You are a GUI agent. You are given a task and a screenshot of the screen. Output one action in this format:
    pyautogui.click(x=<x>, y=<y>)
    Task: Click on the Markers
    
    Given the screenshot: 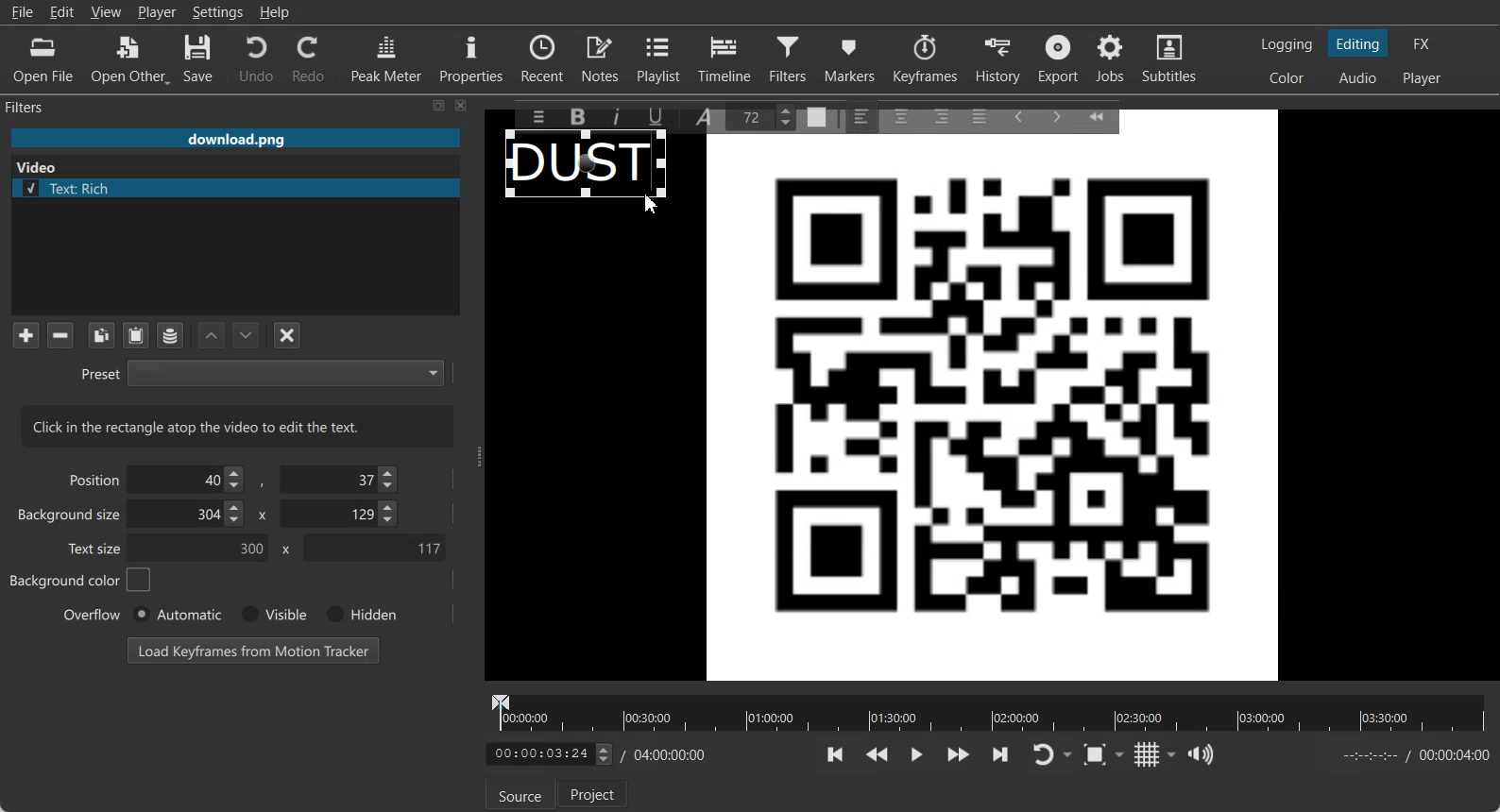 What is the action you would take?
    pyautogui.click(x=851, y=58)
    